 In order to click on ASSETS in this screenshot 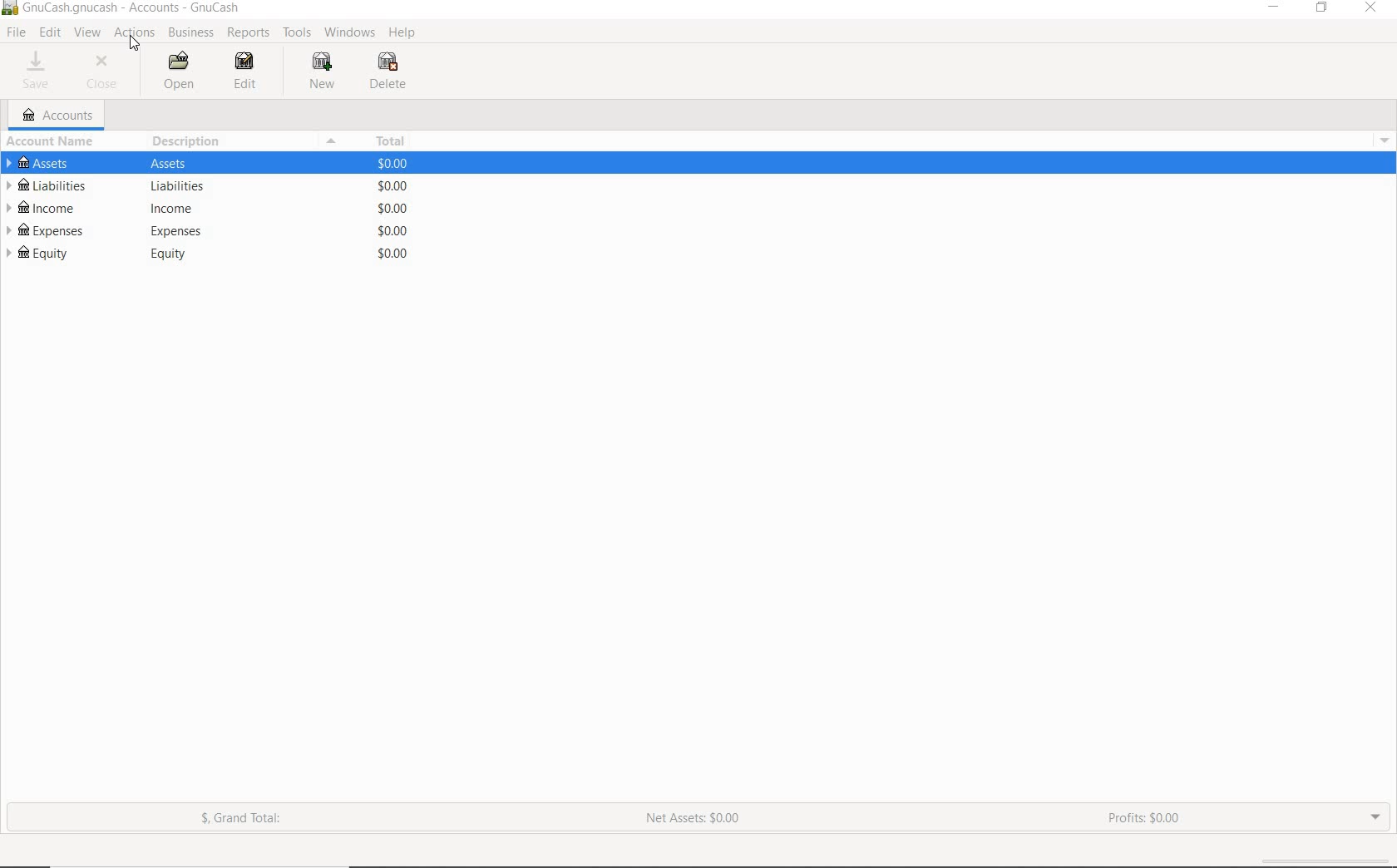, I will do `click(220, 163)`.